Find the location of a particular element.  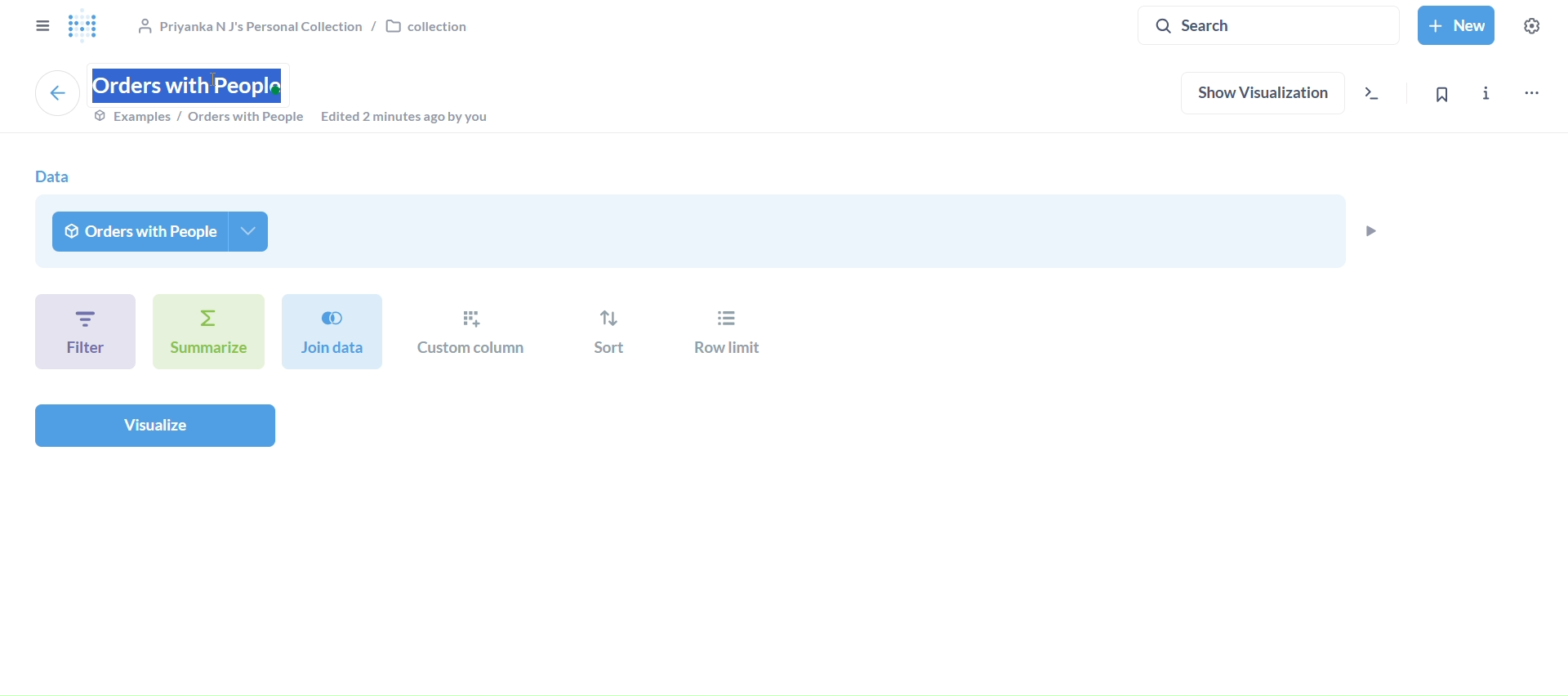

bookmark  is located at coordinates (1450, 94).